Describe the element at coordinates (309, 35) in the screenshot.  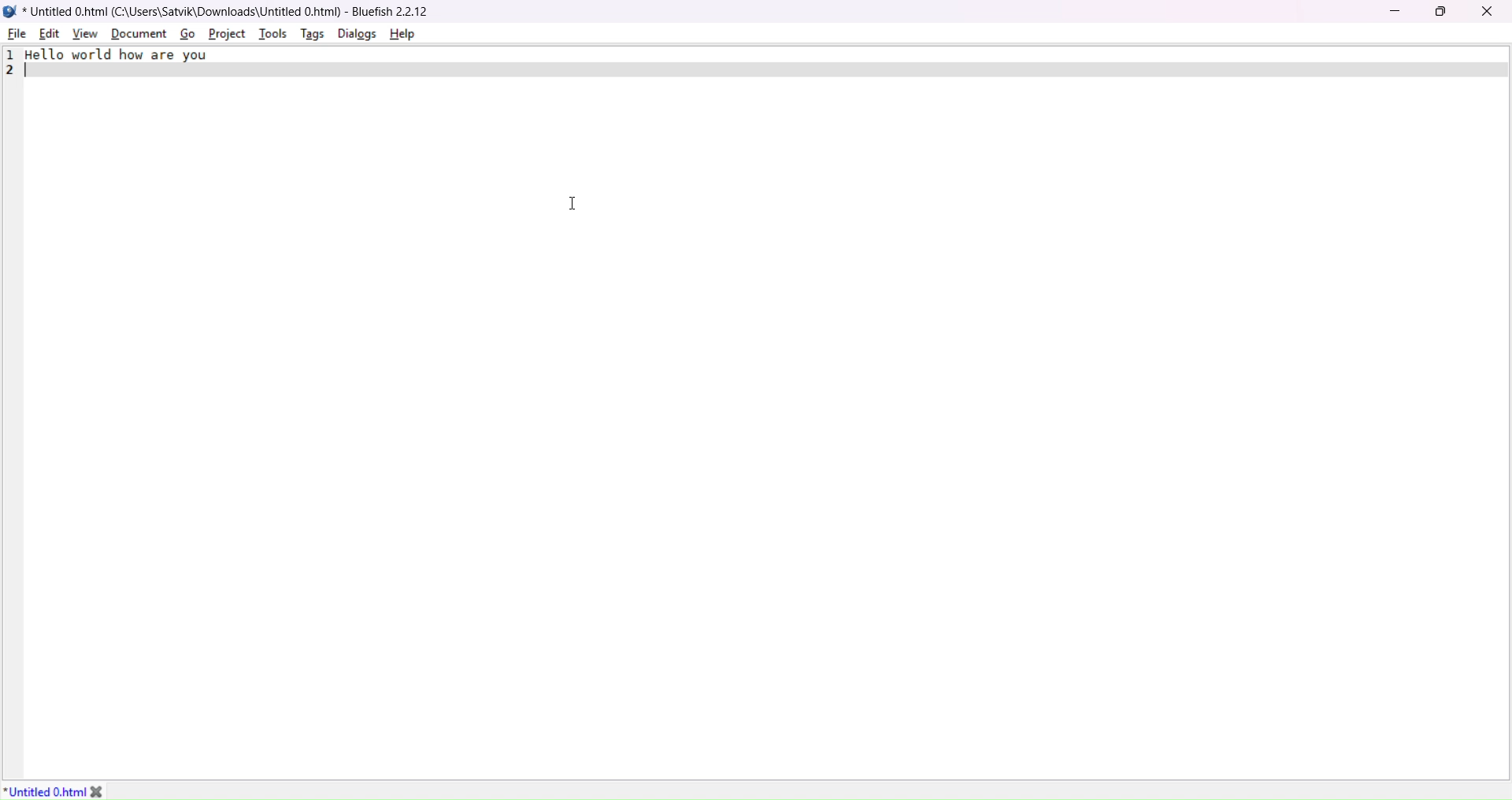
I see `tags` at that location.